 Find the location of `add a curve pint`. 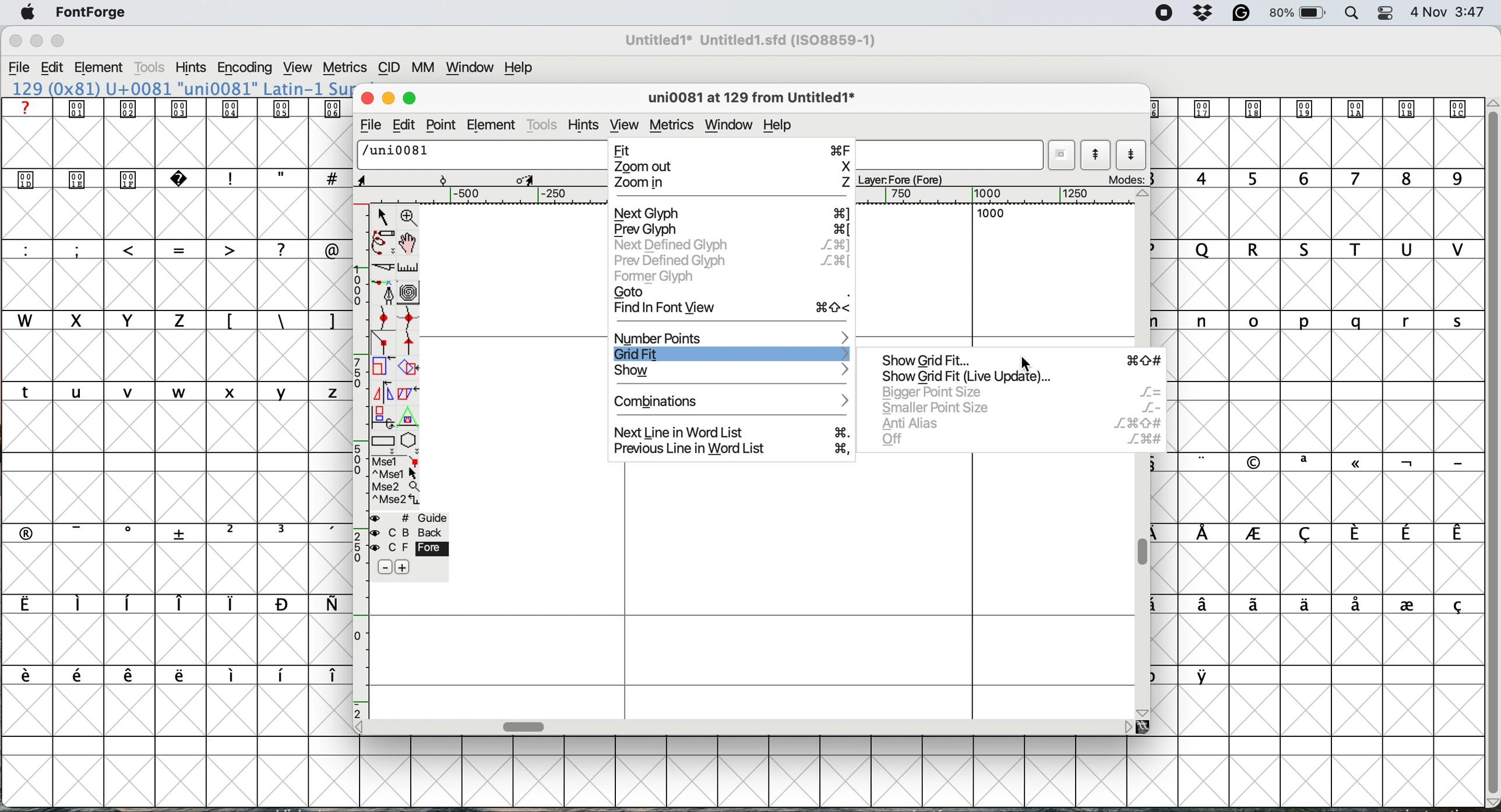

add a curve pint is located at coordinates (383, 320).